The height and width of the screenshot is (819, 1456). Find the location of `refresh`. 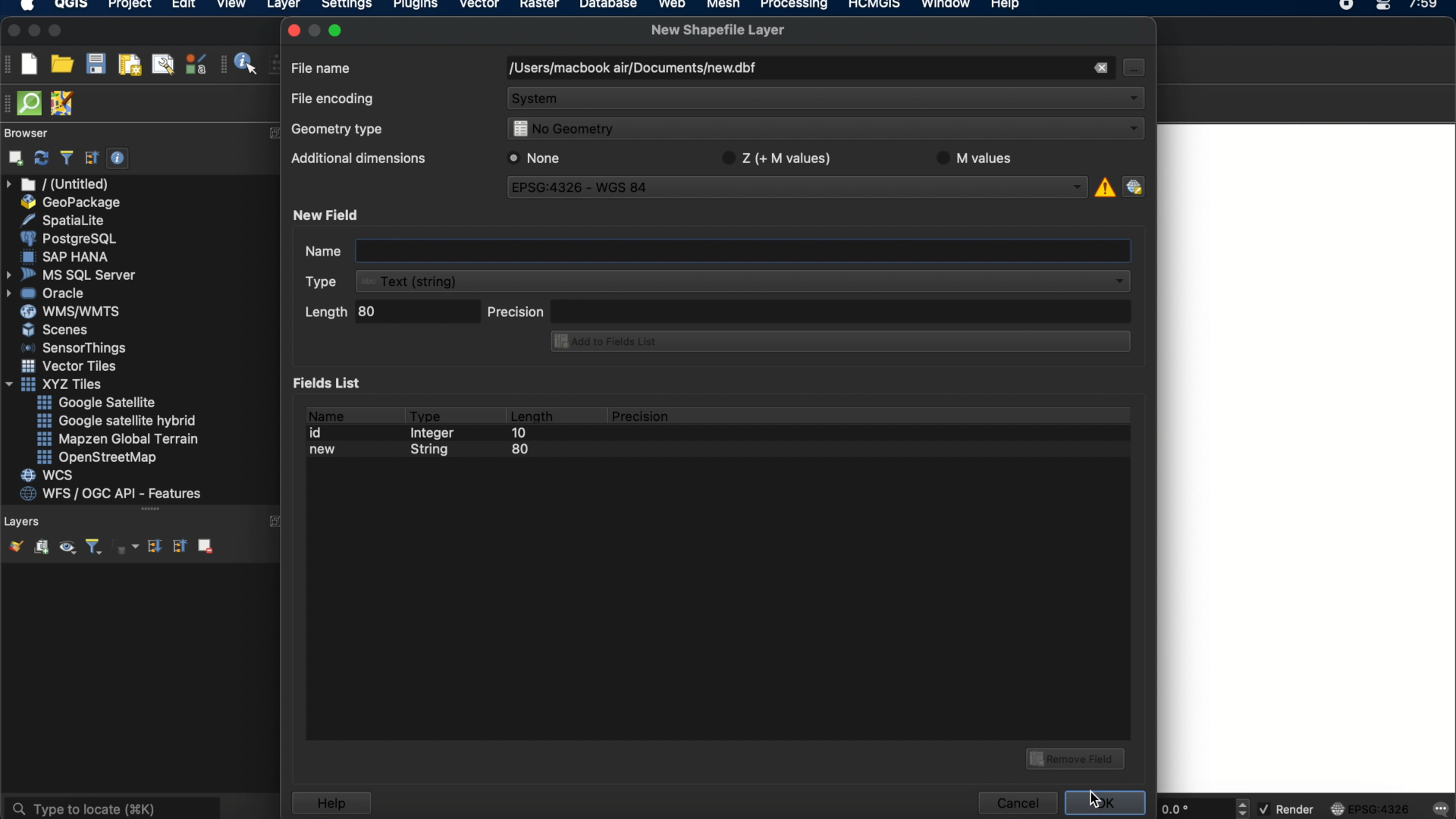

refresh is located at coordinates (42, 158).